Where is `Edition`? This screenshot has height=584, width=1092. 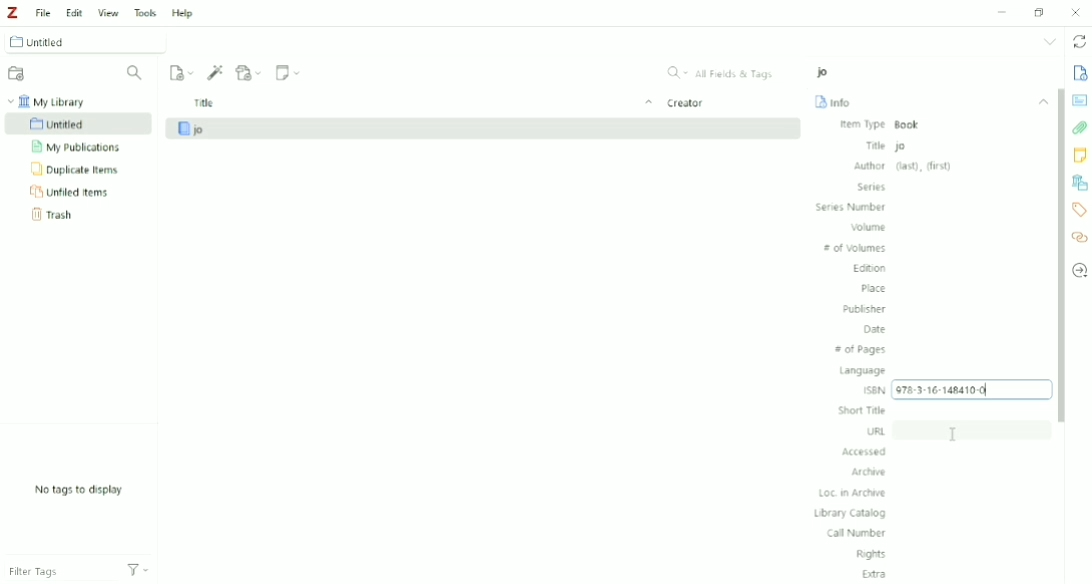
Edition is located at coordinates (869, 269).